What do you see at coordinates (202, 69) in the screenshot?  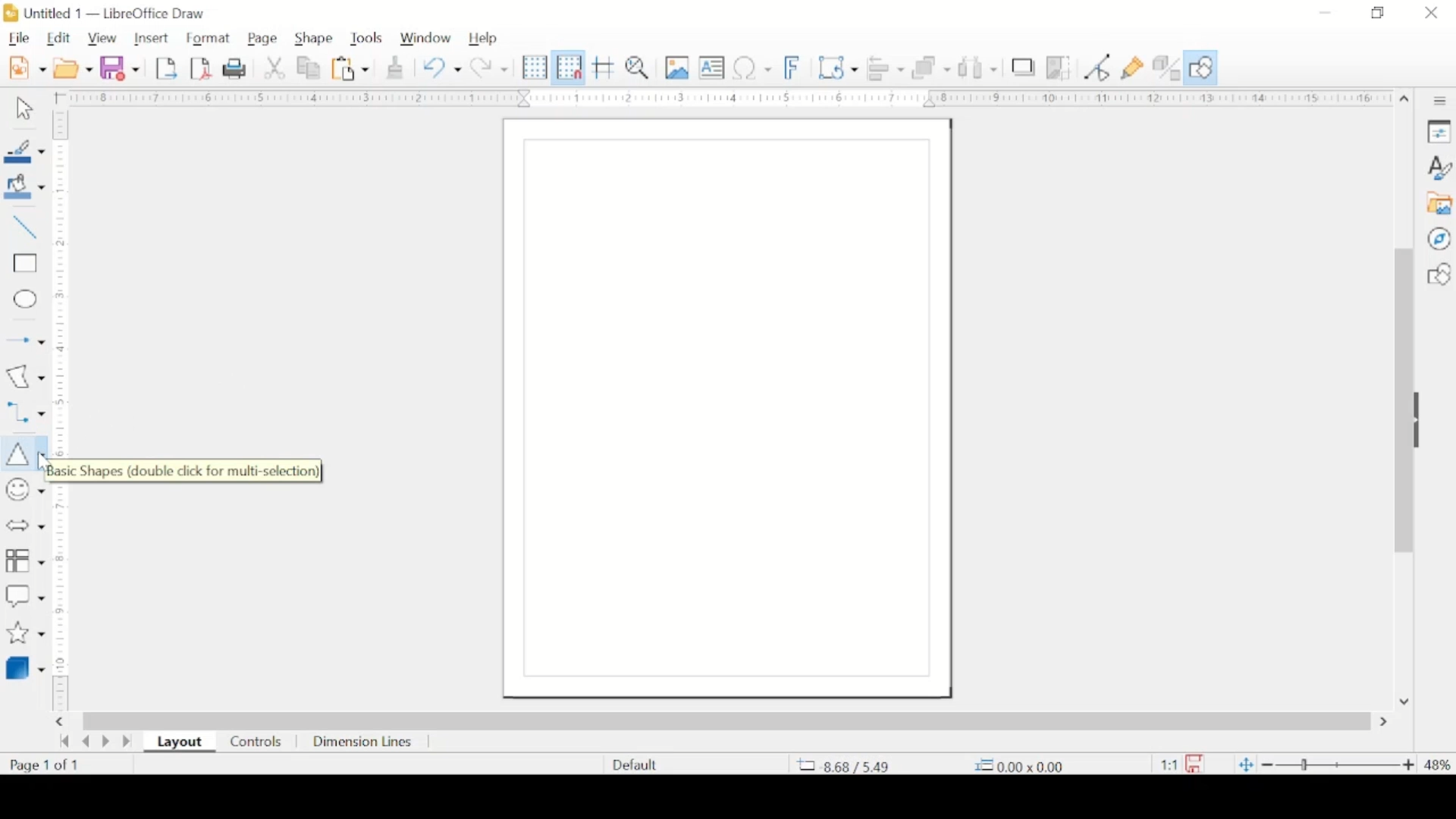 I see `export directly as pdf` at bounding box center [202, 69].